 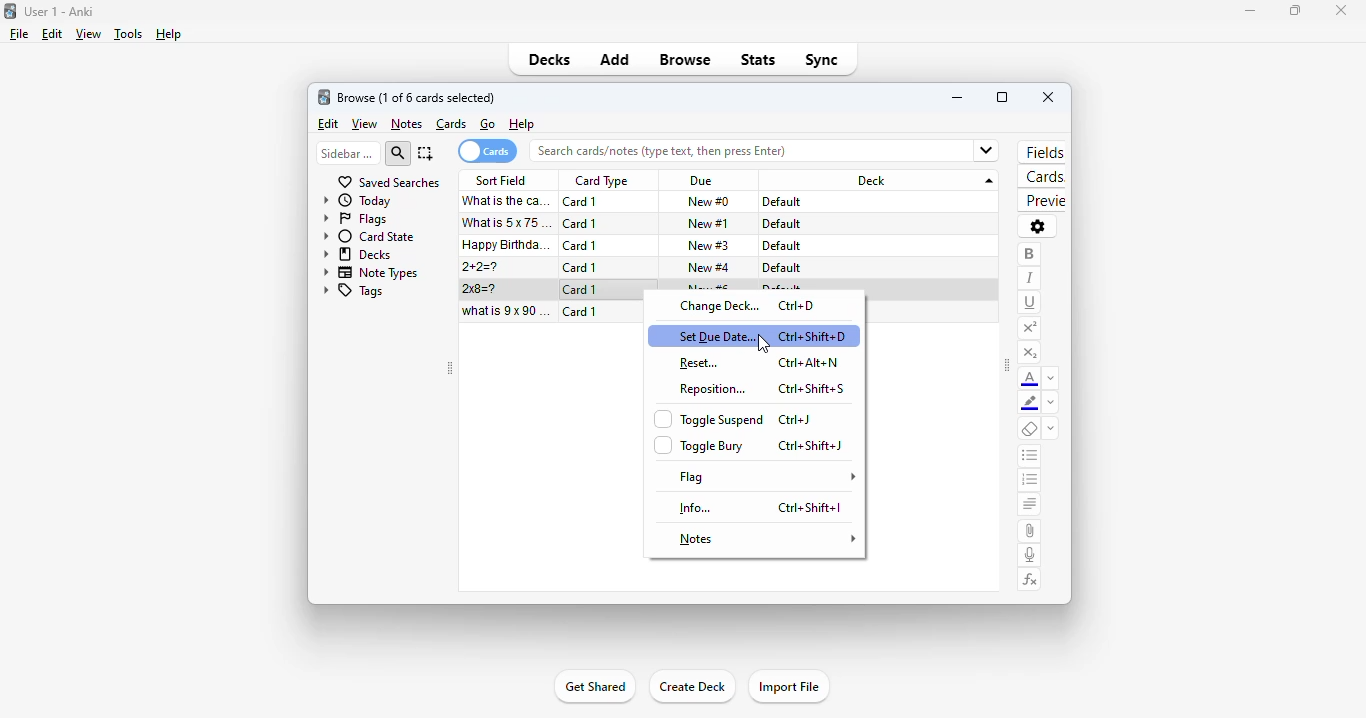 What do you see at coordinates (1029, 254) in the screenshot?
I see `bold` at bounding box center [1029, 254].